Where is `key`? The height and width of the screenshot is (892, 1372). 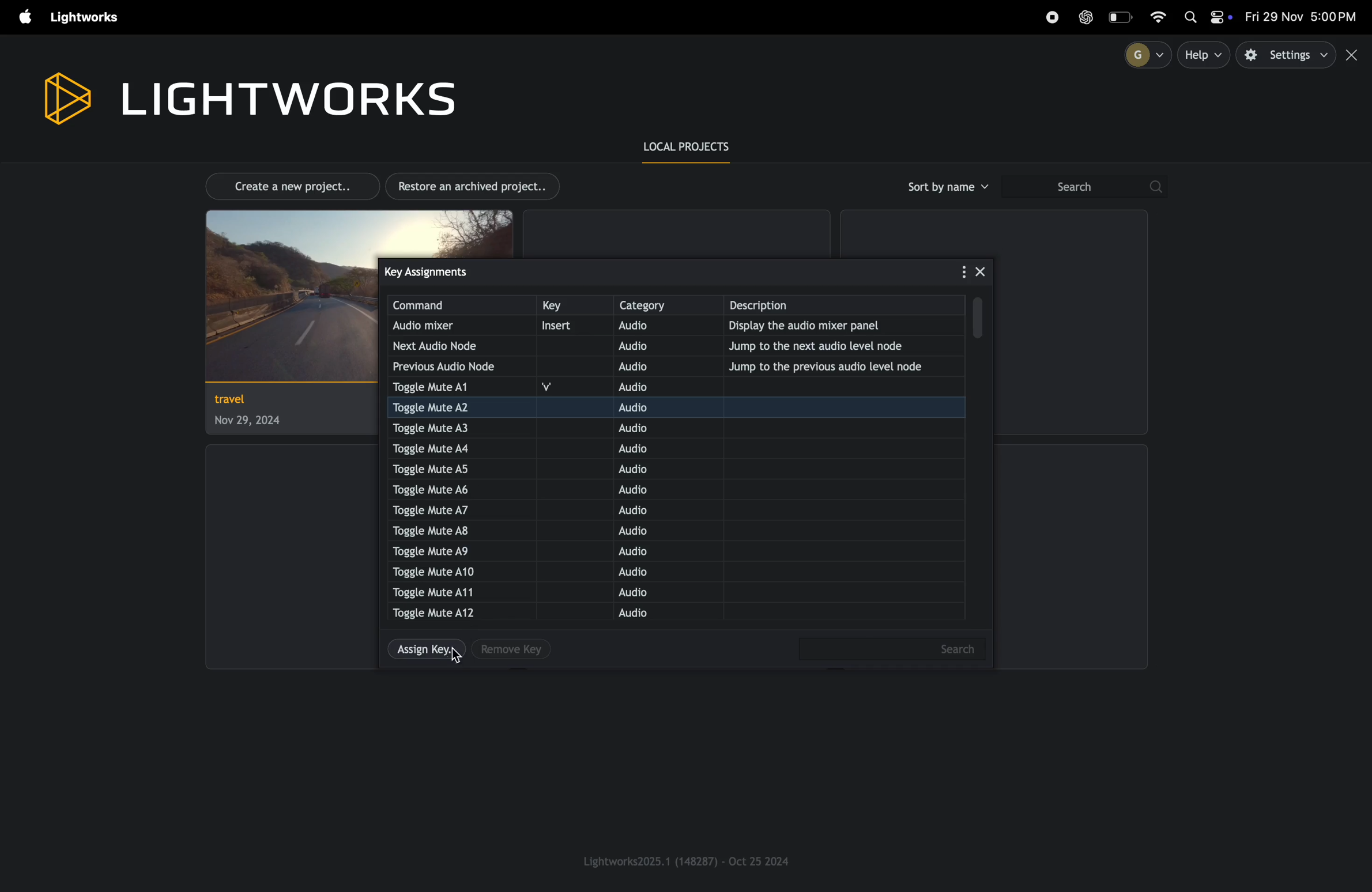
key is located at coordinates (571, 306).